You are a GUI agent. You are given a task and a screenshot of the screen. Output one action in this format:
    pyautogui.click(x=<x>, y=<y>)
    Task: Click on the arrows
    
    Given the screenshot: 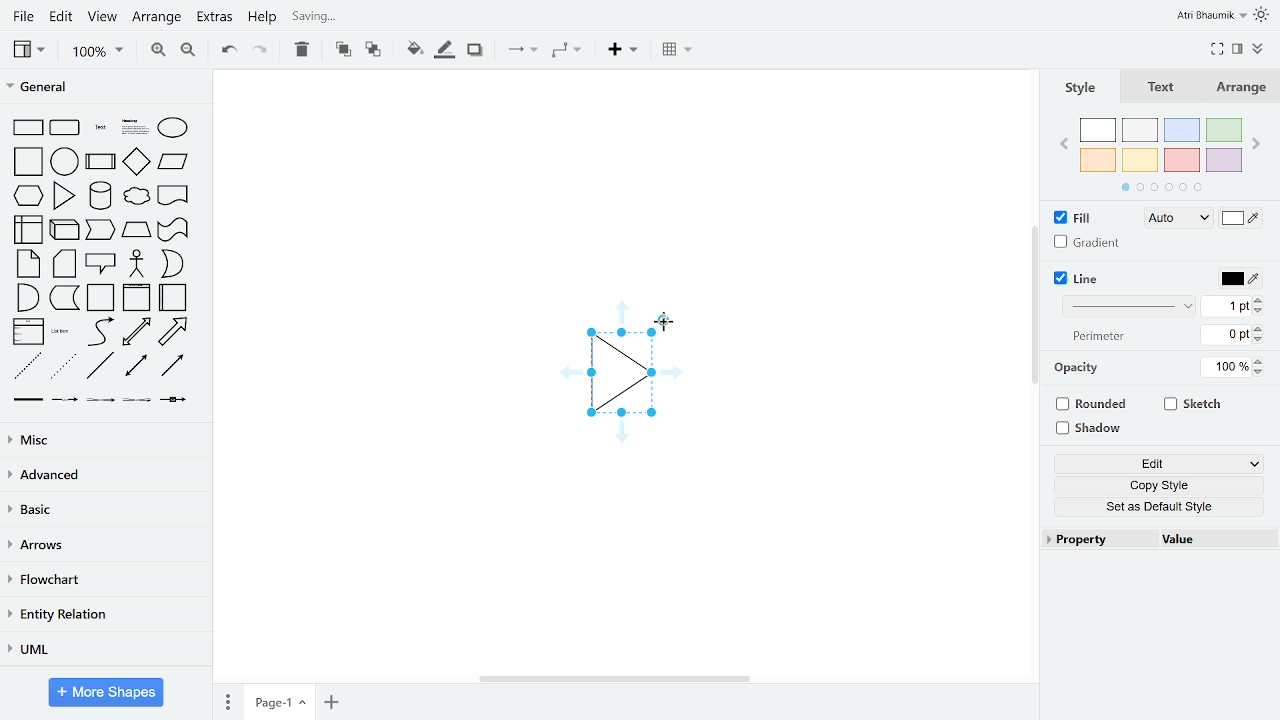 What is the action you would take?
    pyautogui.click(x=103, y=546)
    